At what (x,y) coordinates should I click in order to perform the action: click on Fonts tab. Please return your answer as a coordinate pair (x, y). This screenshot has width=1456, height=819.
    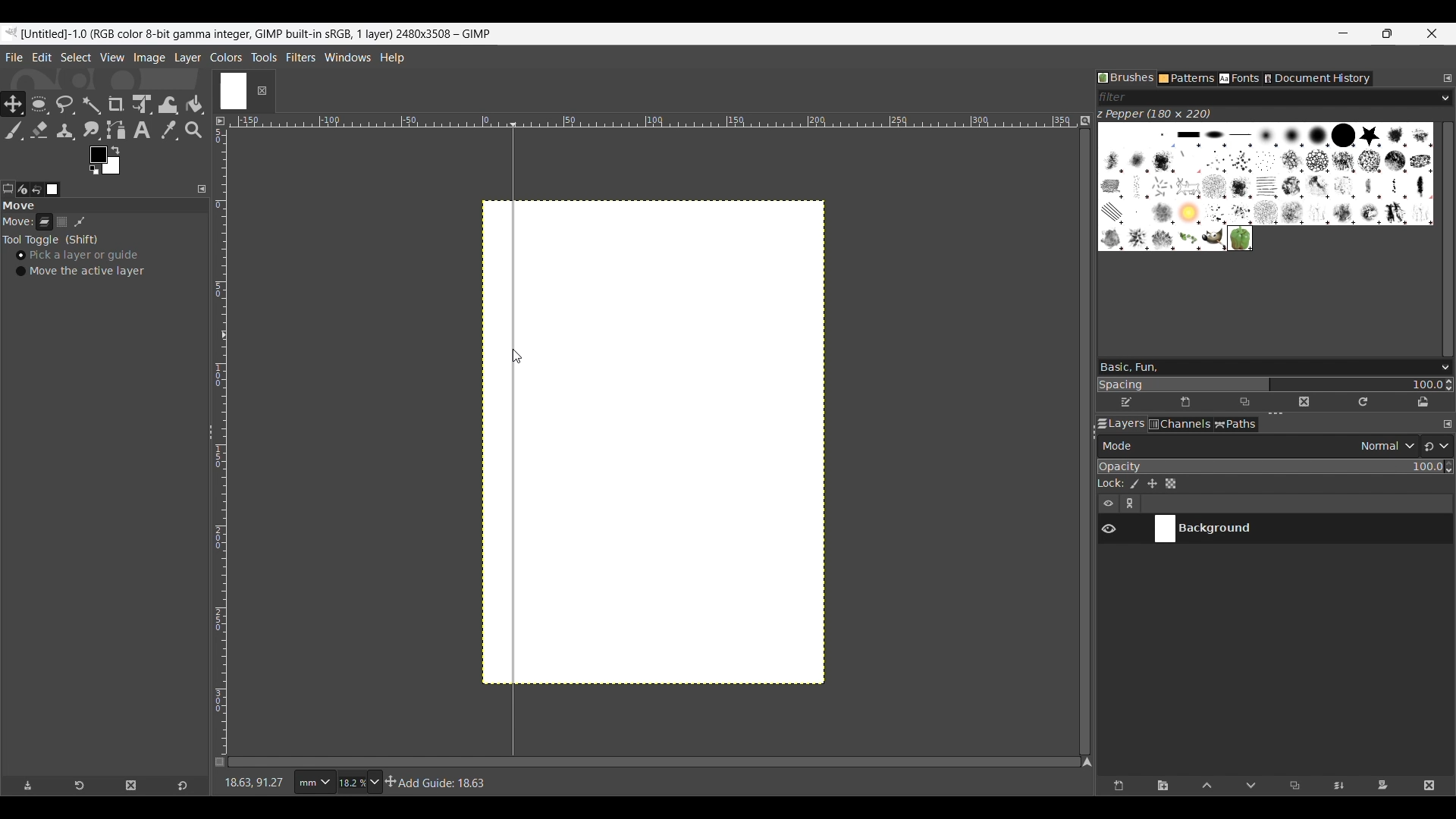
    Looking at the image, I should click on (1239, 79).